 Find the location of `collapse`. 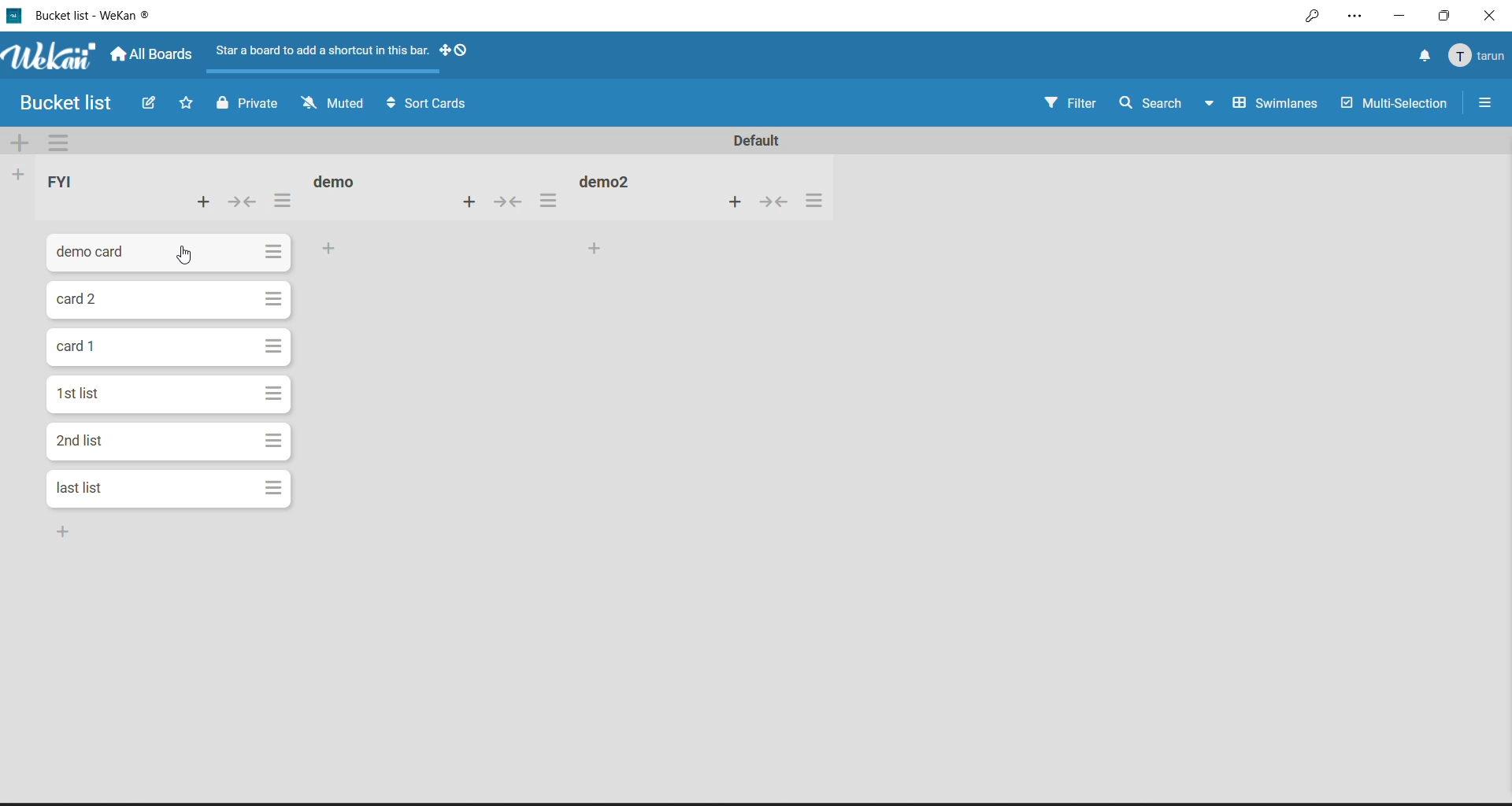

collapse is located at coordinates (775, 202).